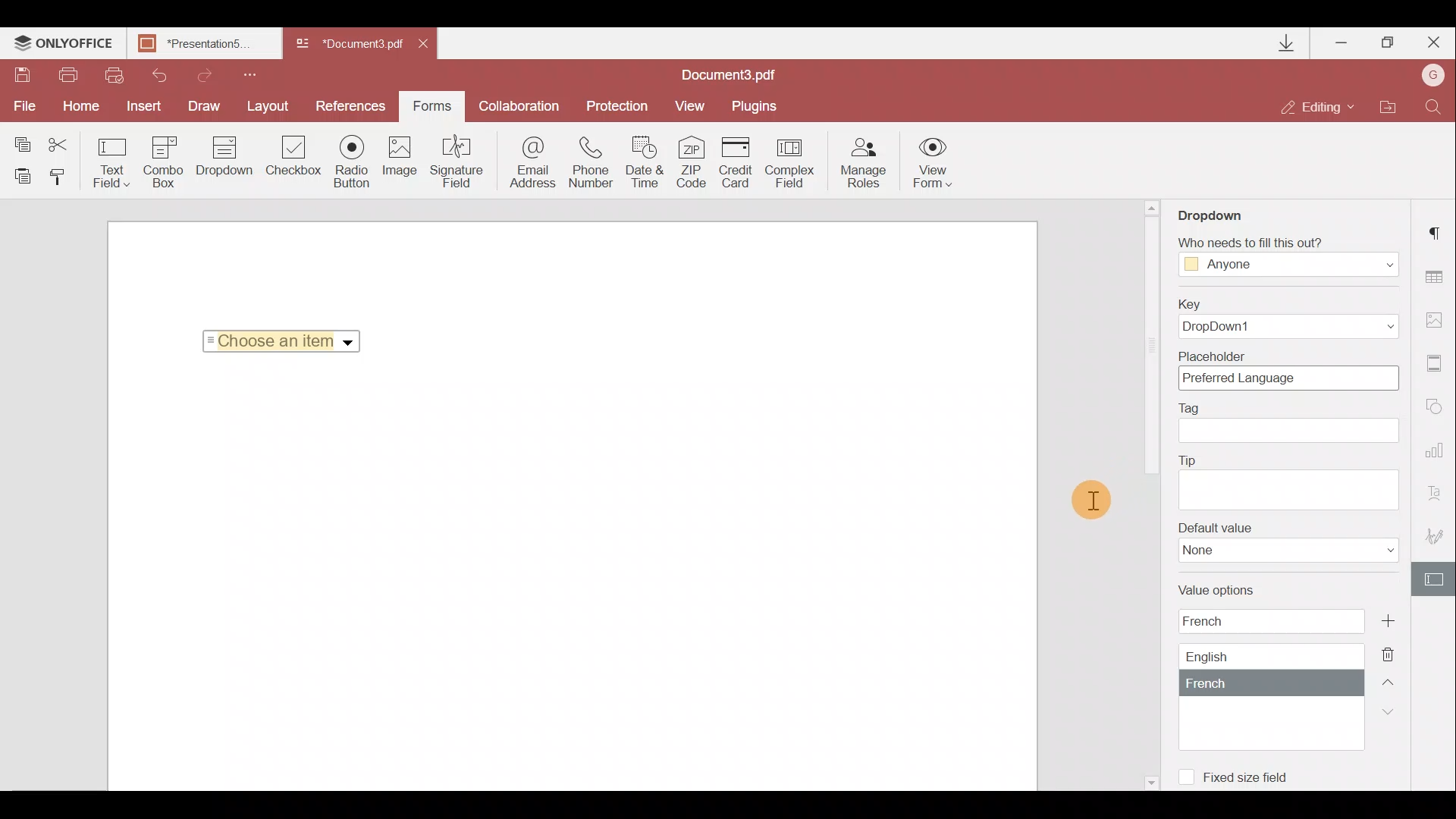 Image resolution: width=1456 pixels, height=819 pixels. What do you see at coordinates (792, 162) in the screenshot?
I see `Complex field` at bounding box center [792, 162].